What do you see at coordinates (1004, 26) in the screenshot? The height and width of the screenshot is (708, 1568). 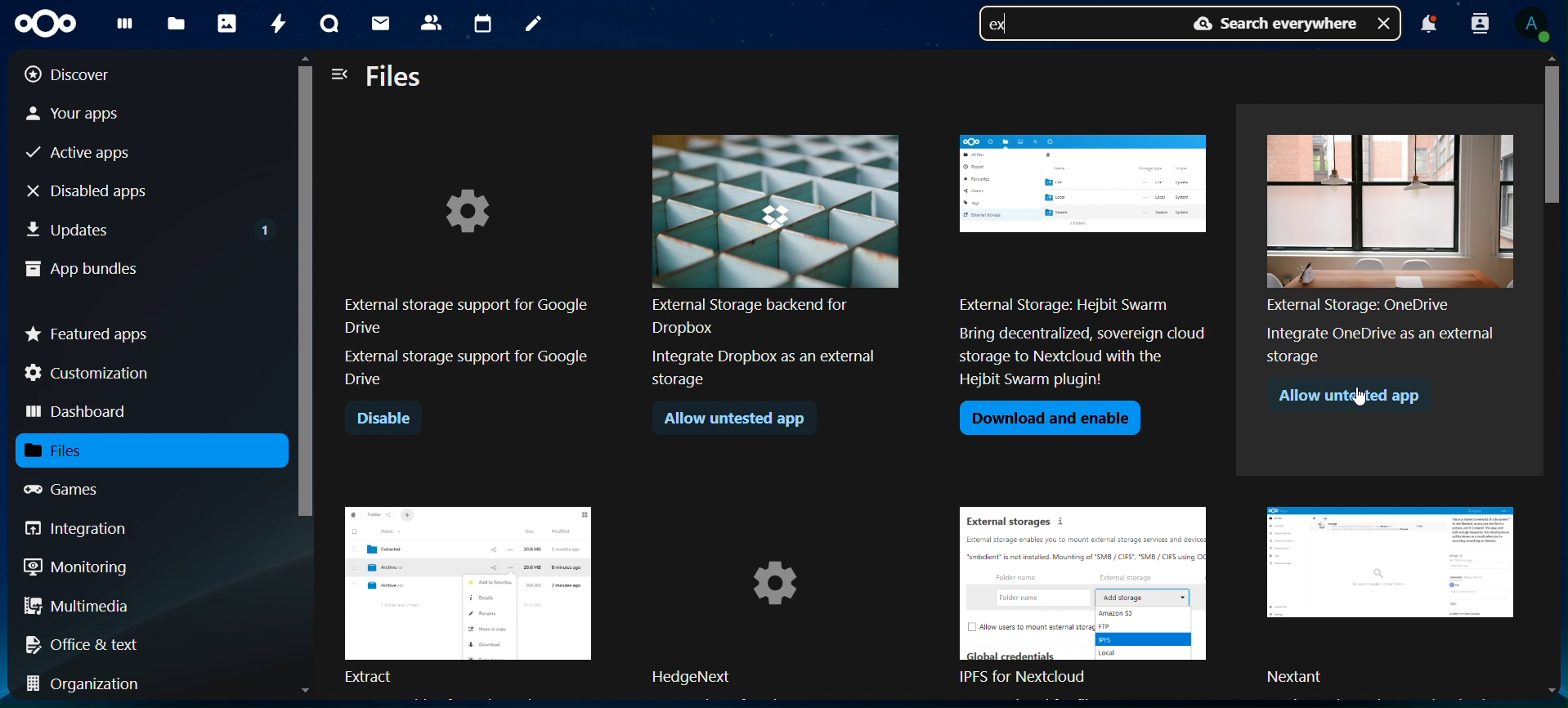 I see `ex` at bounding box center [1004, 26].